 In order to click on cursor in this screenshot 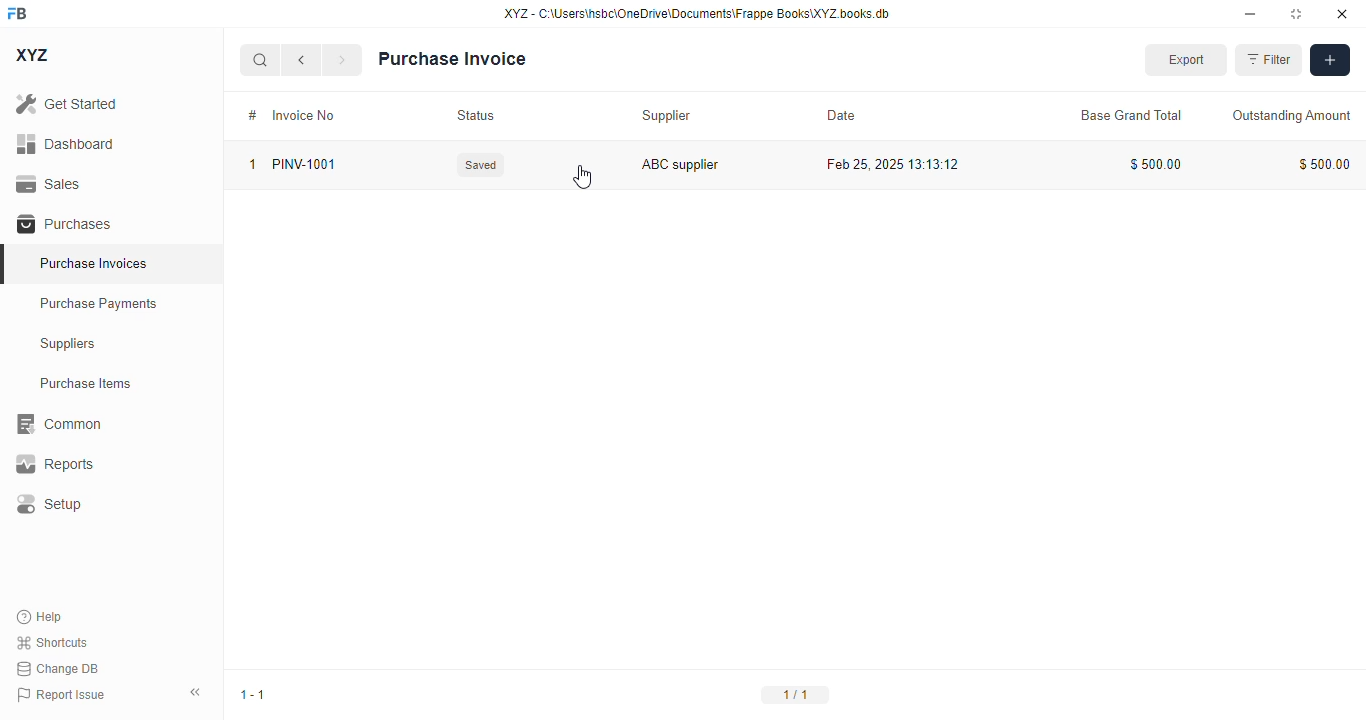, I will do `click(583, 177)`.